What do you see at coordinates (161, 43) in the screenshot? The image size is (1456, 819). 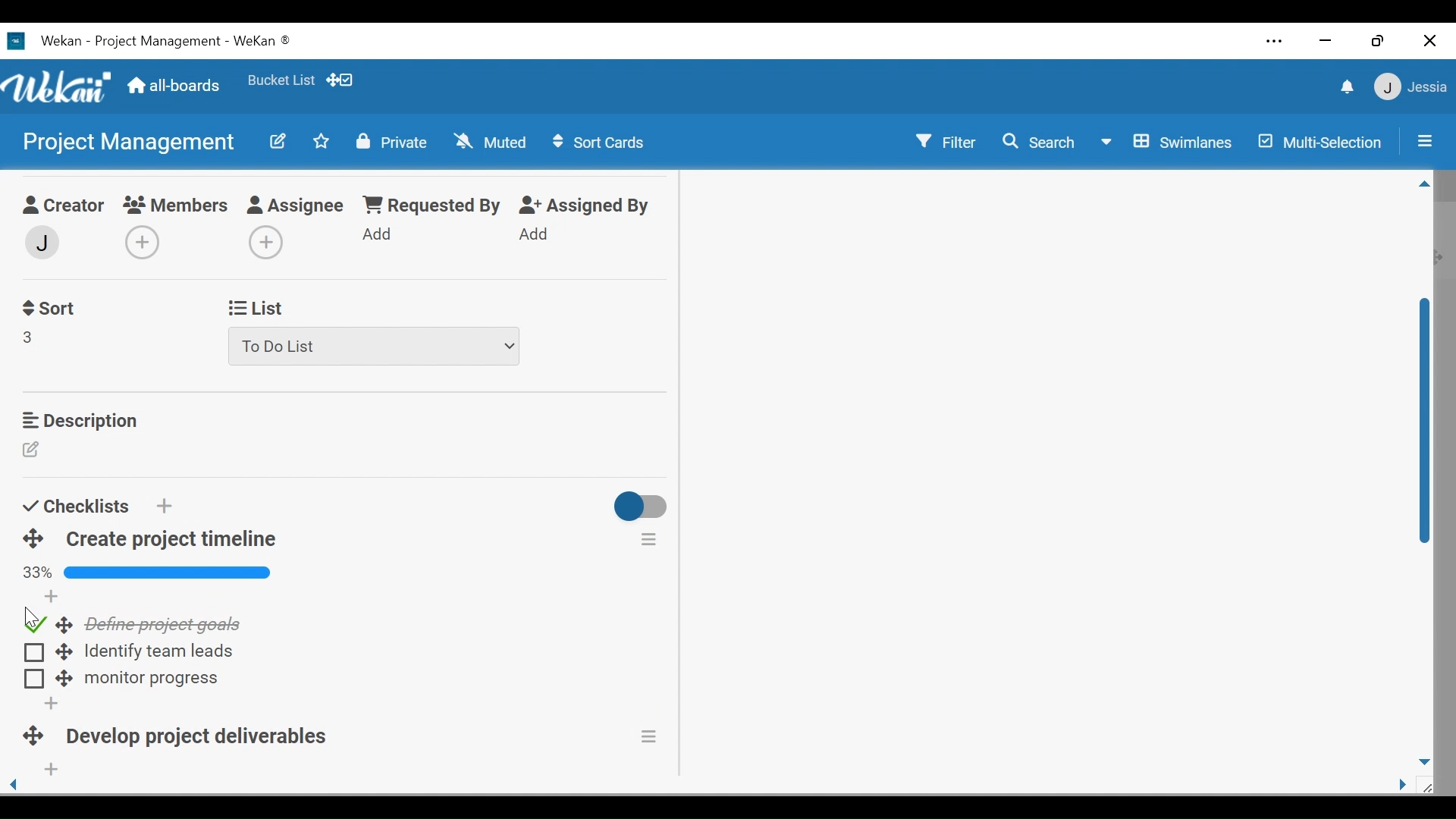 I see `Wekan Desktop icon` at bounding box center [161, 43].